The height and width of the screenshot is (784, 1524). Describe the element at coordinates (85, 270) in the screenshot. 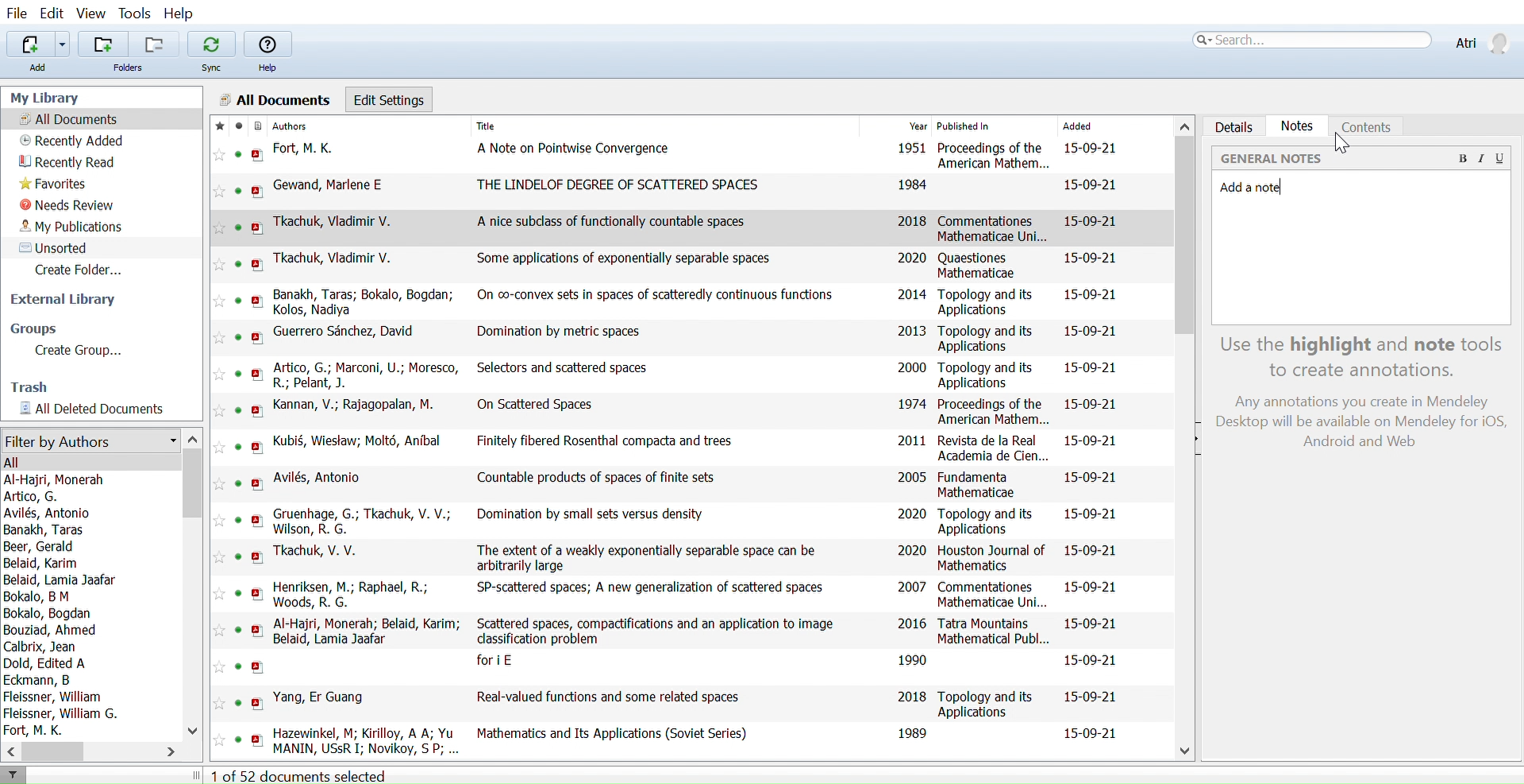

I see `Create folder` at that location.